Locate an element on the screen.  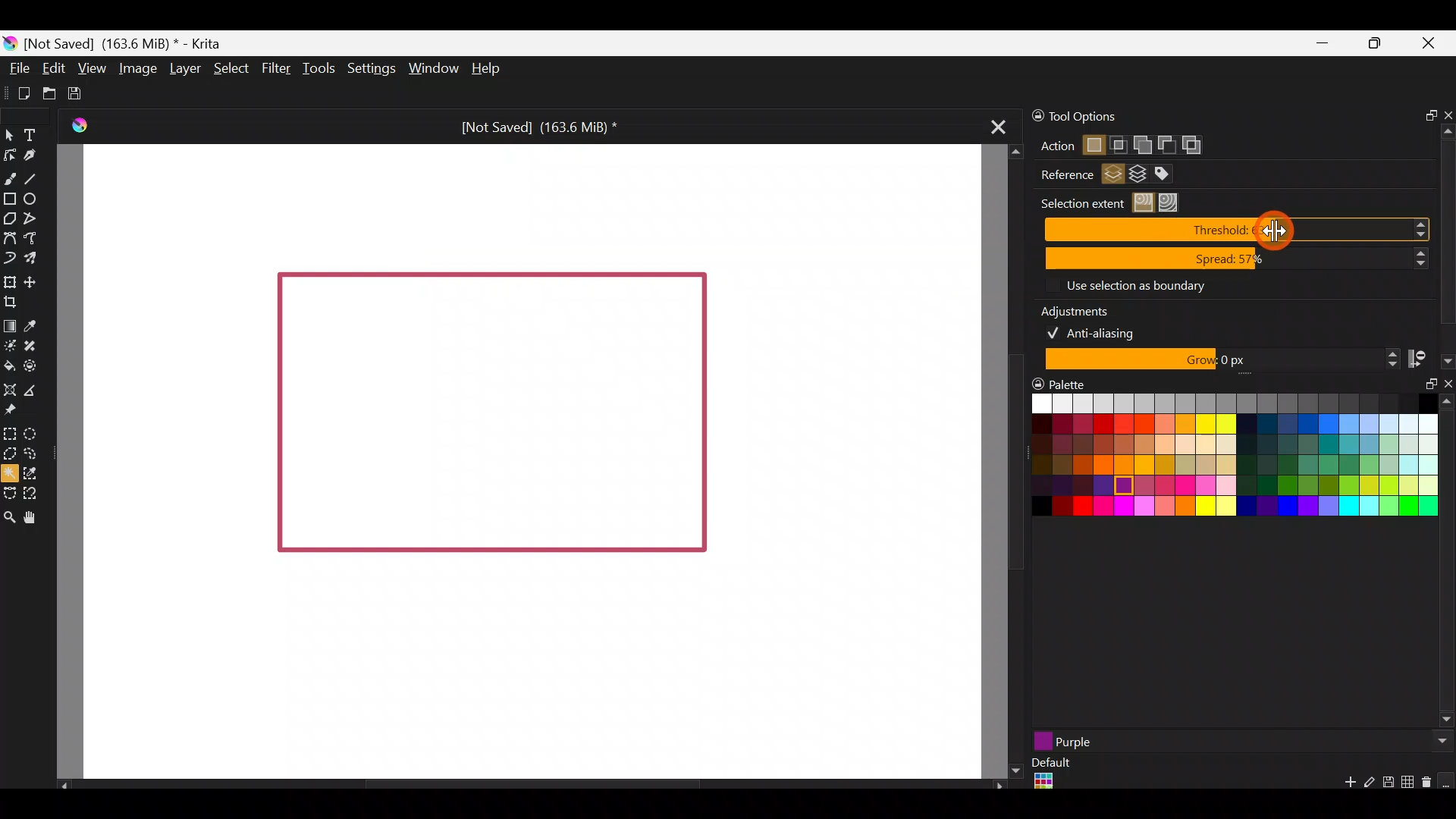
Reference images tool is located at coordinates (17, 412).